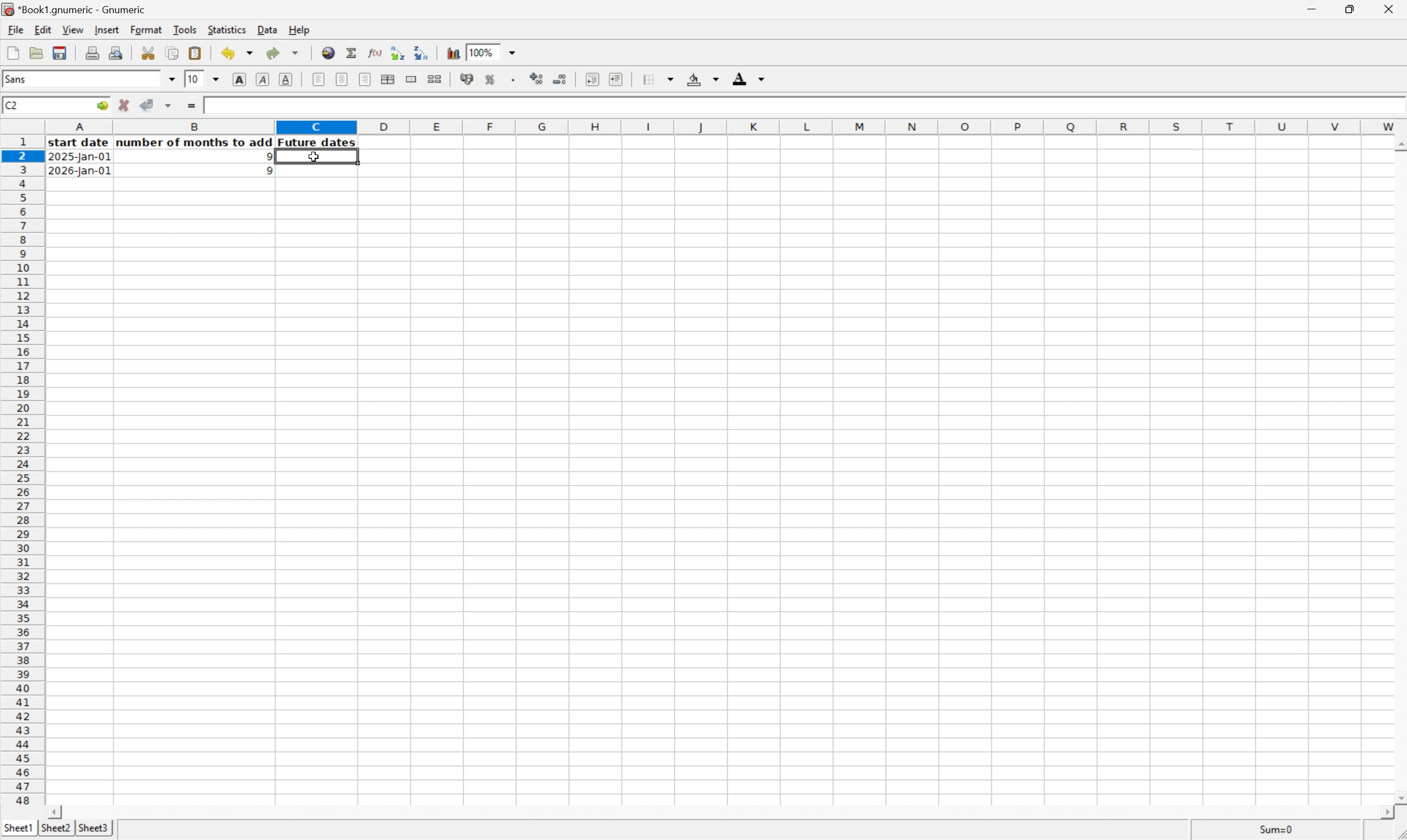 The height and width of the screenshot is (840, 1407). What do you see at coordinates (1390, 7) in the screenshot?
I see `Close` at bounding box center [1390, 7].